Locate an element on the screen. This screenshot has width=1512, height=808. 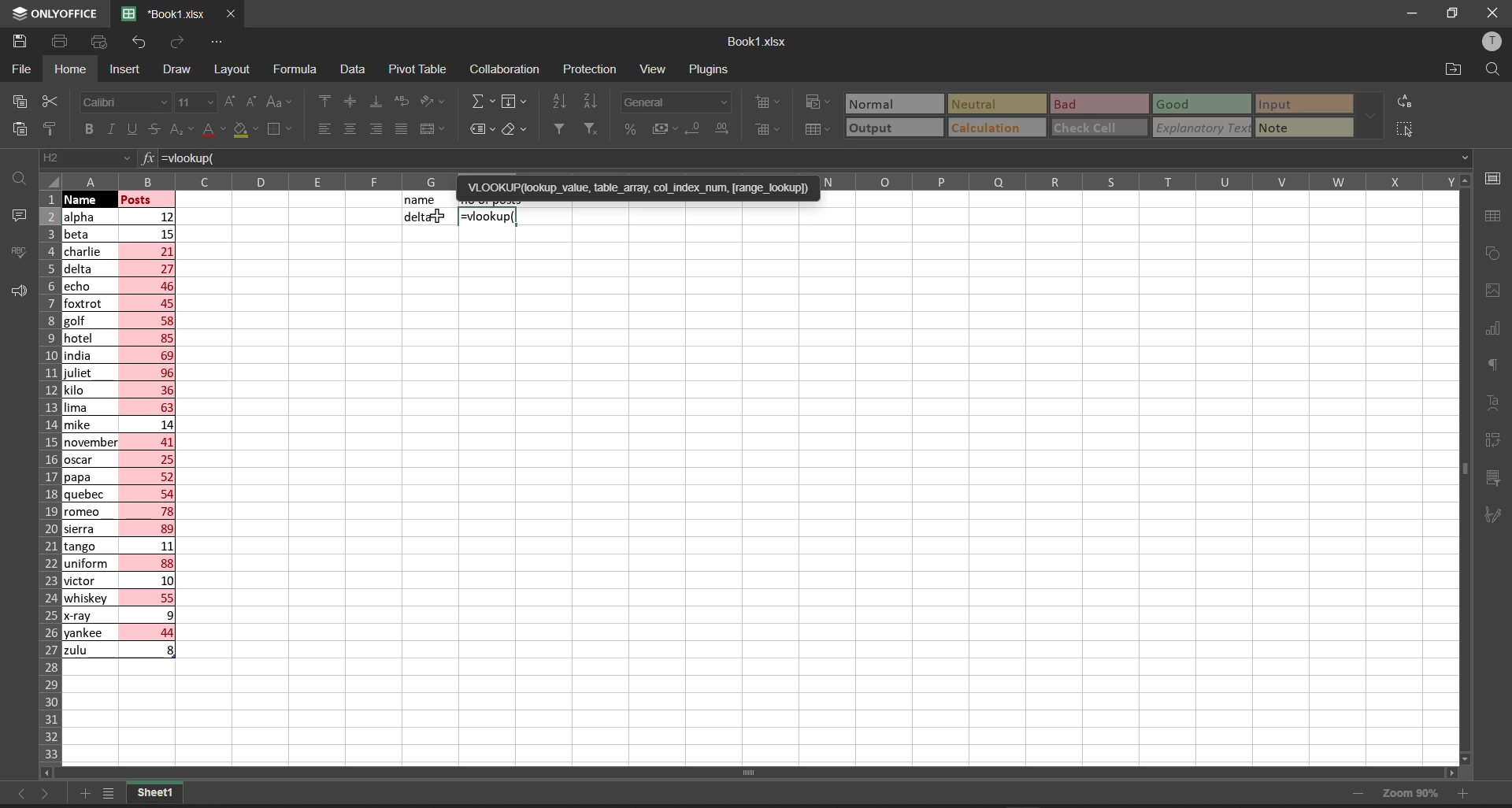
align top is located at coordinates (321, 102).